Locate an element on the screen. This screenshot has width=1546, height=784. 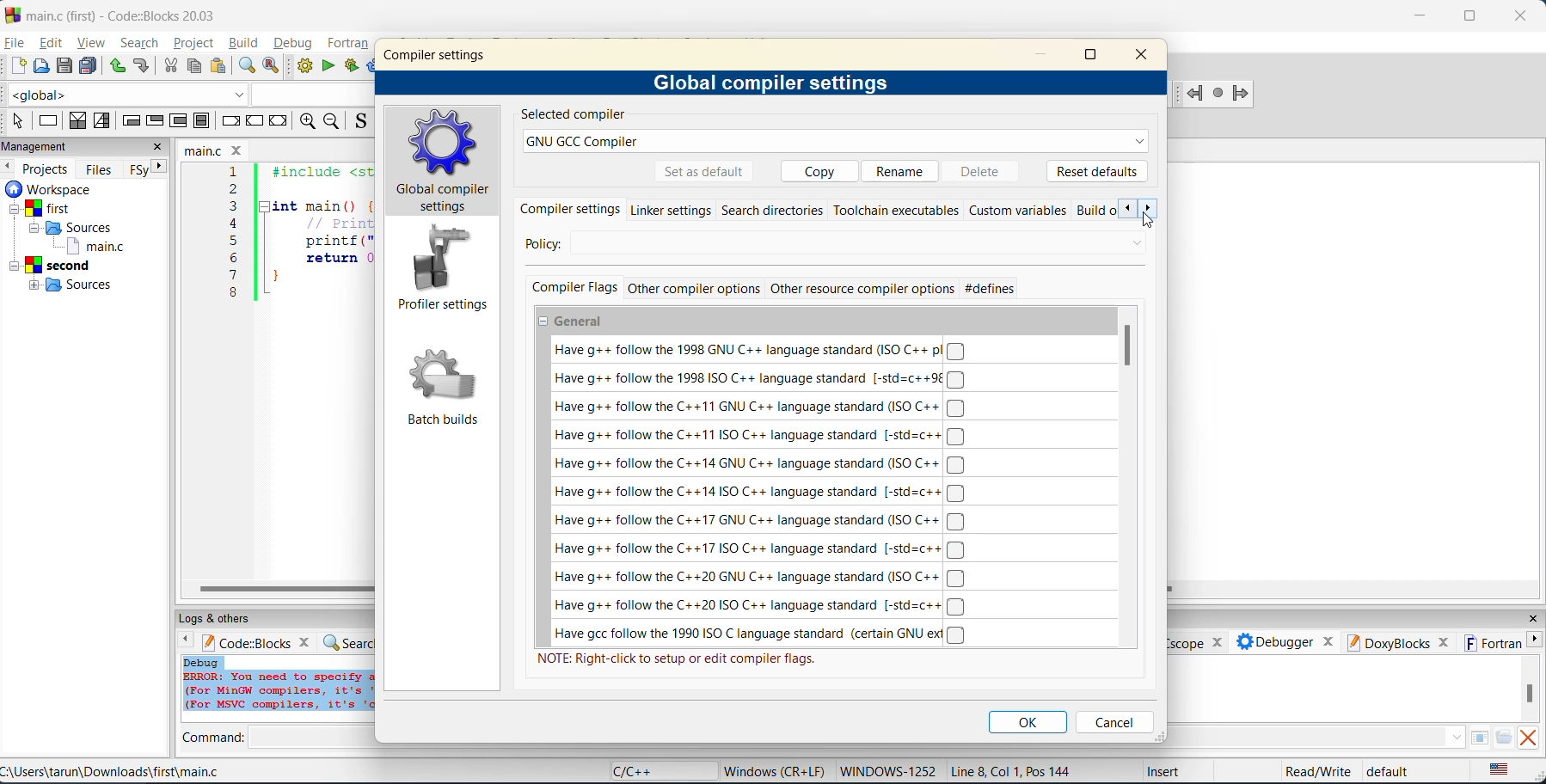
selected compiler is located at coordinates (572, 115).